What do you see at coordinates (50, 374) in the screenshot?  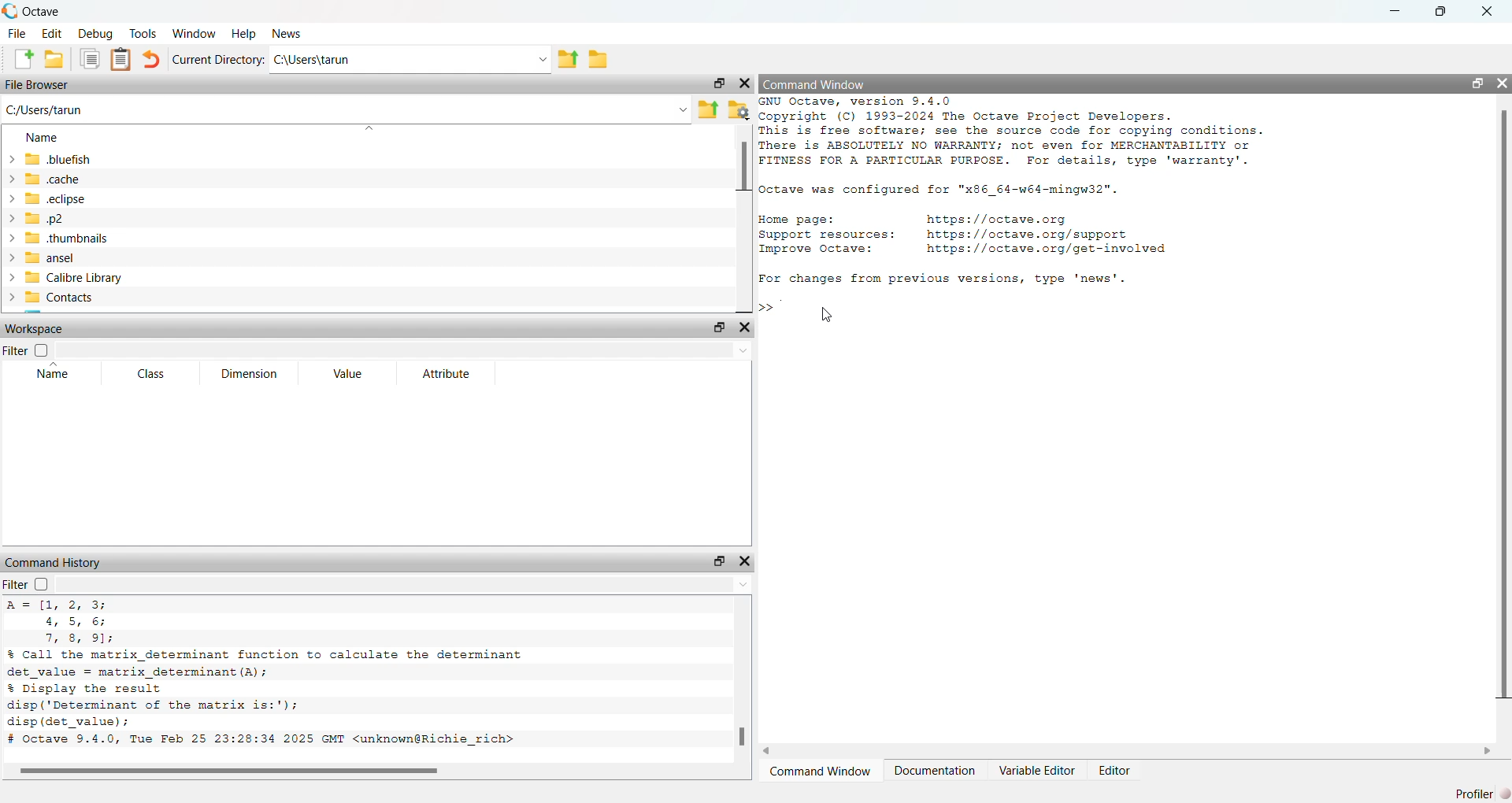 I see `name` at bounding box center [50, 374].